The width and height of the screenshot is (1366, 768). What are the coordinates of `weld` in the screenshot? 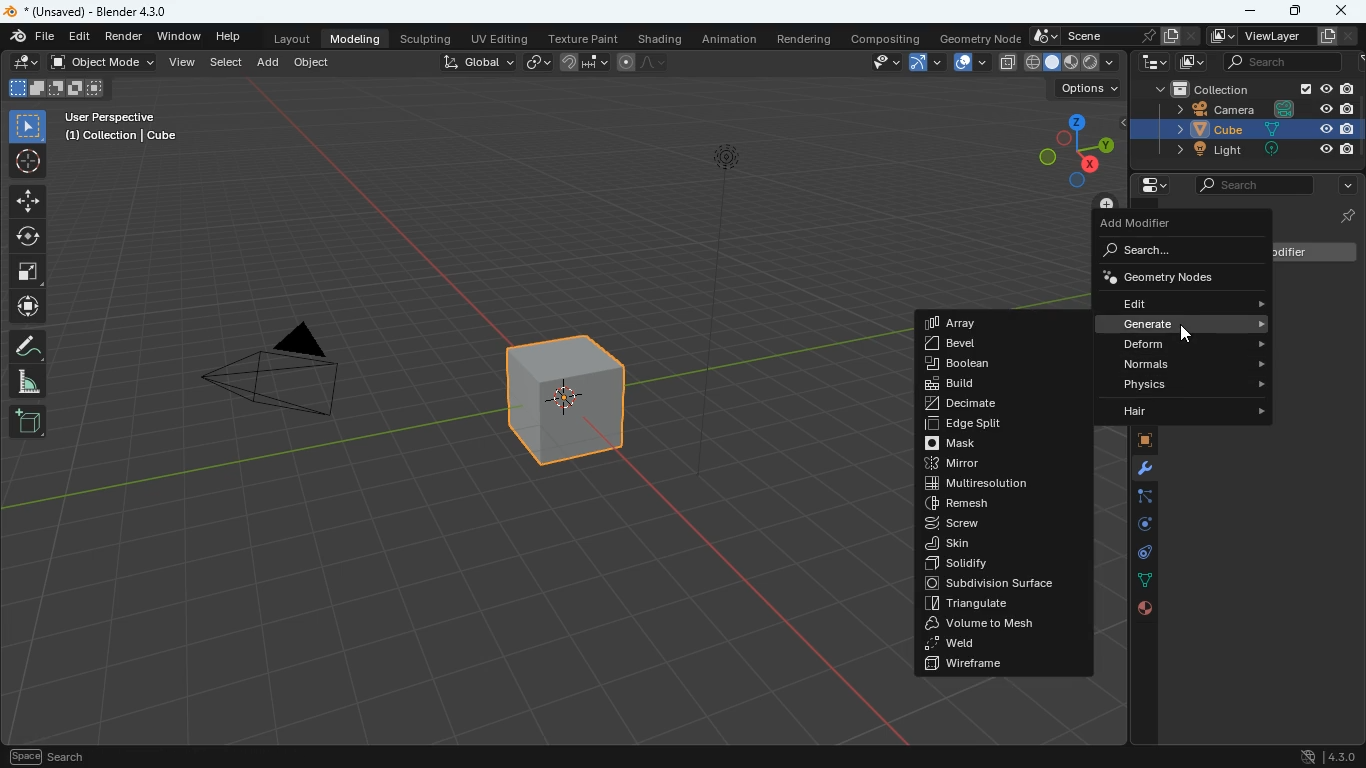 It's located at (1001, 643).